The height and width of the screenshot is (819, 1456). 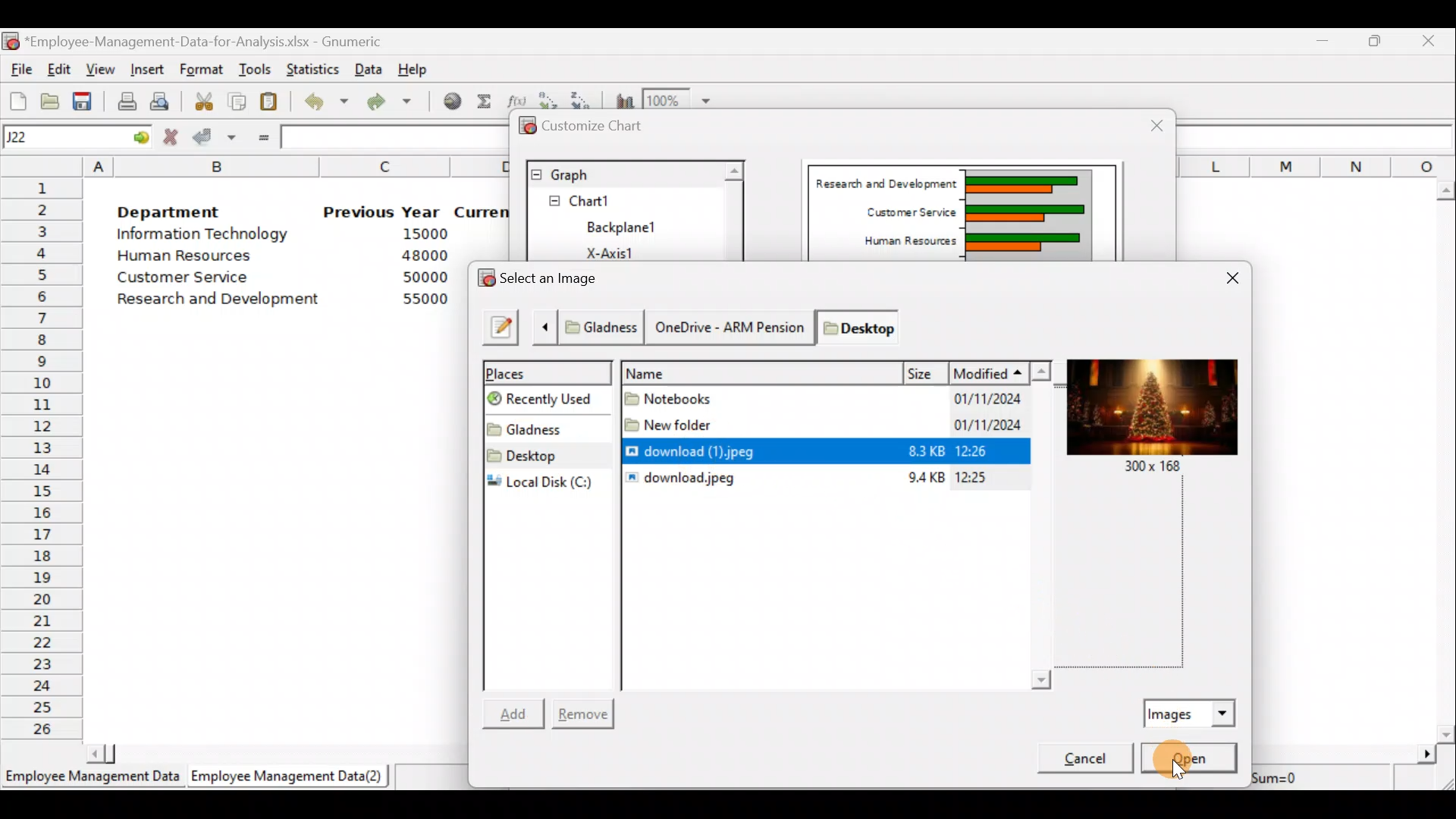 I want to click on Open, so click(x=1189, y=758).